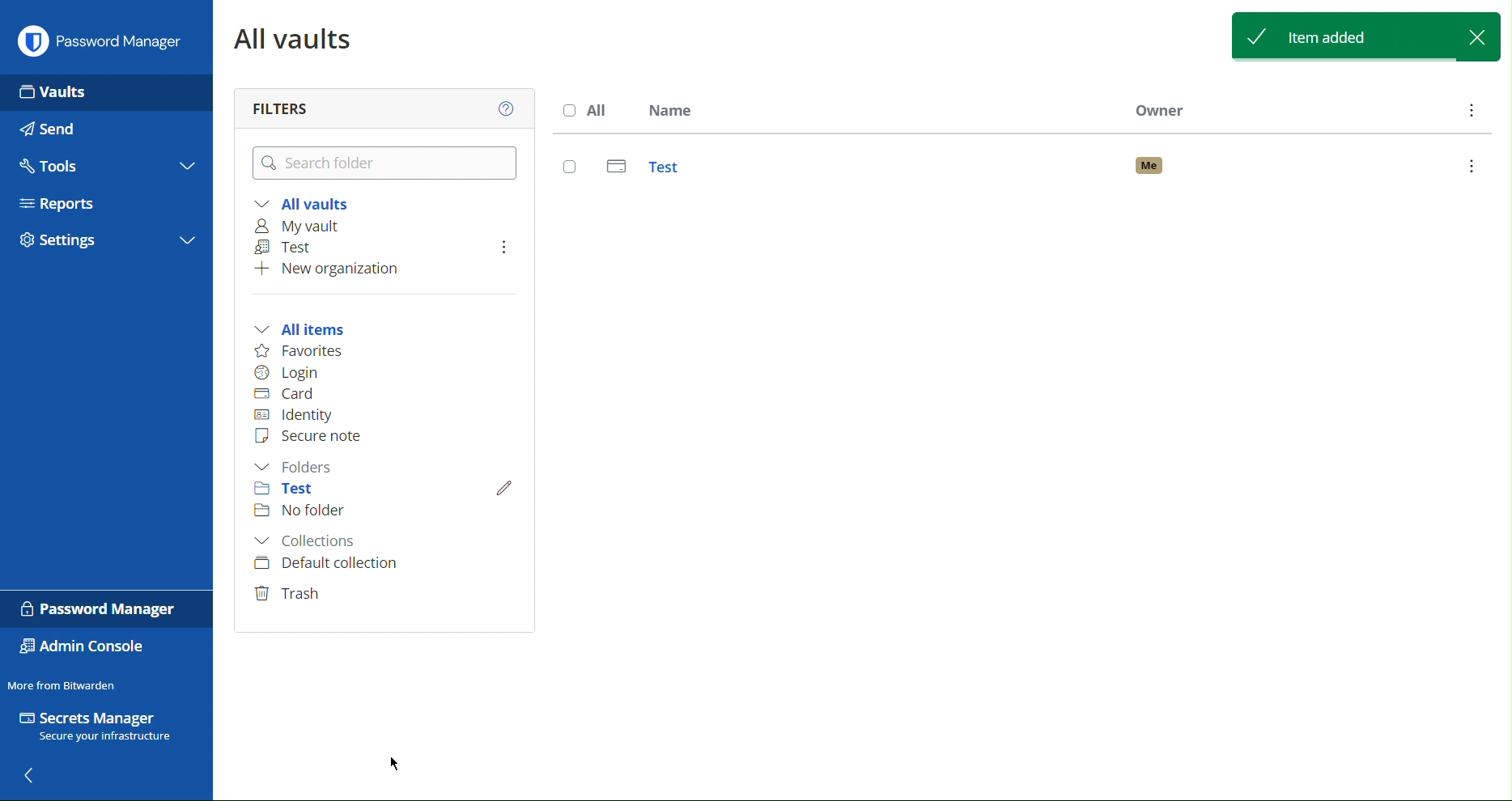 This screenshot has height=801, width=1512. Describe the element at coordinates (318, 439) in the screenshot. I see `Secure note` at that location.